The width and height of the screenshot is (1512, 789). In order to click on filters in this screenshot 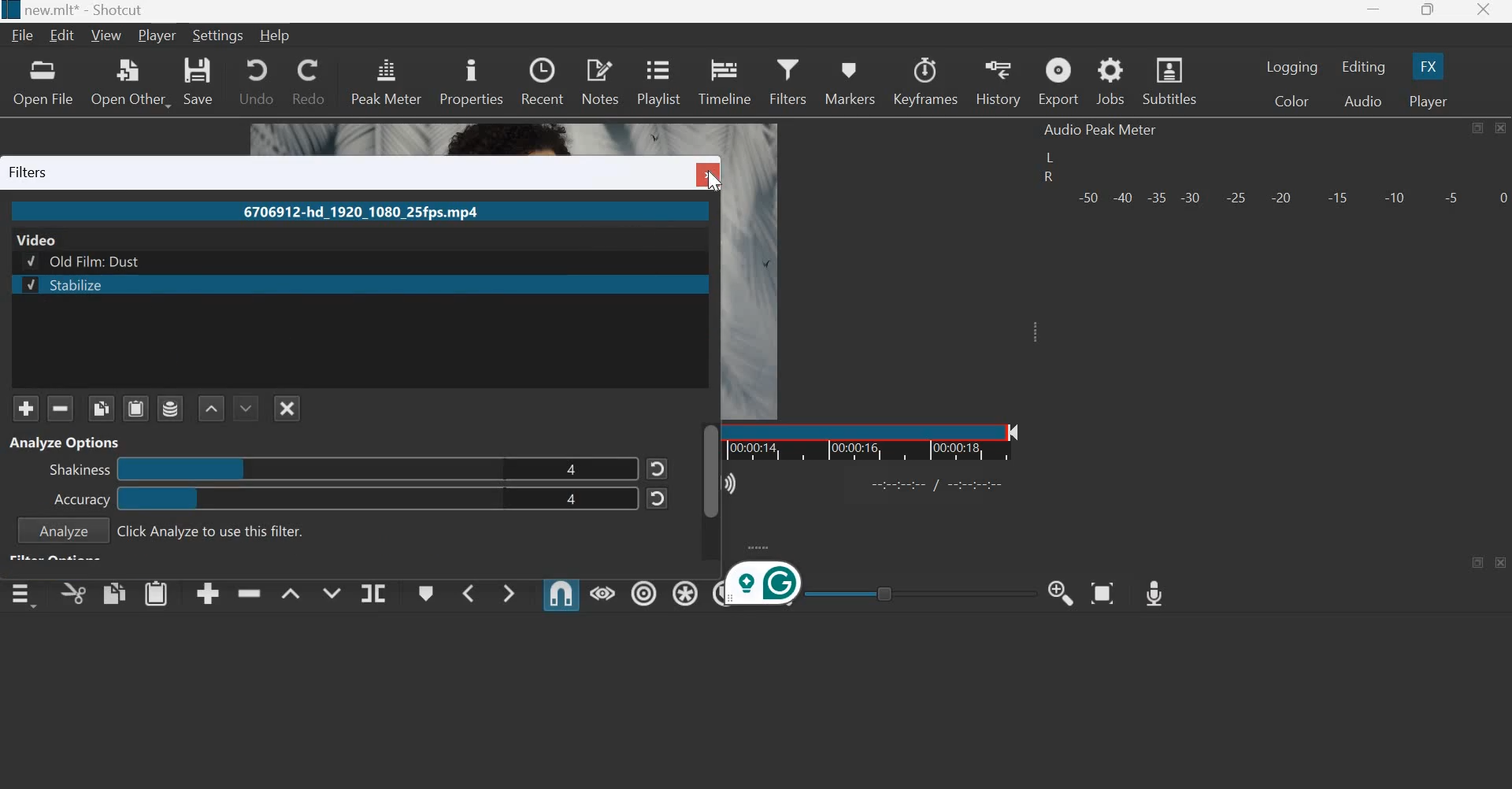, I will do `click(30, 172)`.